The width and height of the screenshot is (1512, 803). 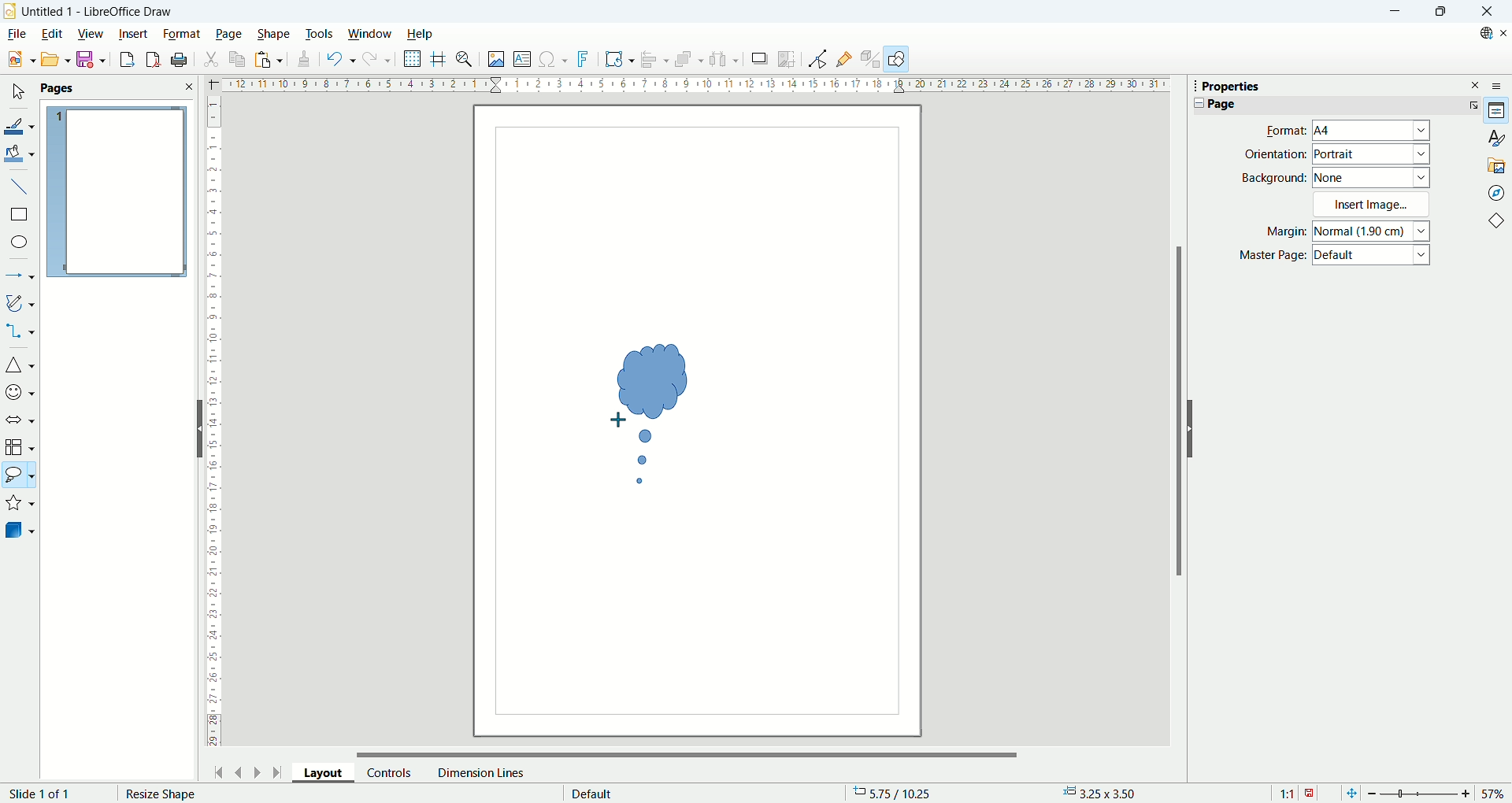 I want to click on export, so click(x=123, y=59).